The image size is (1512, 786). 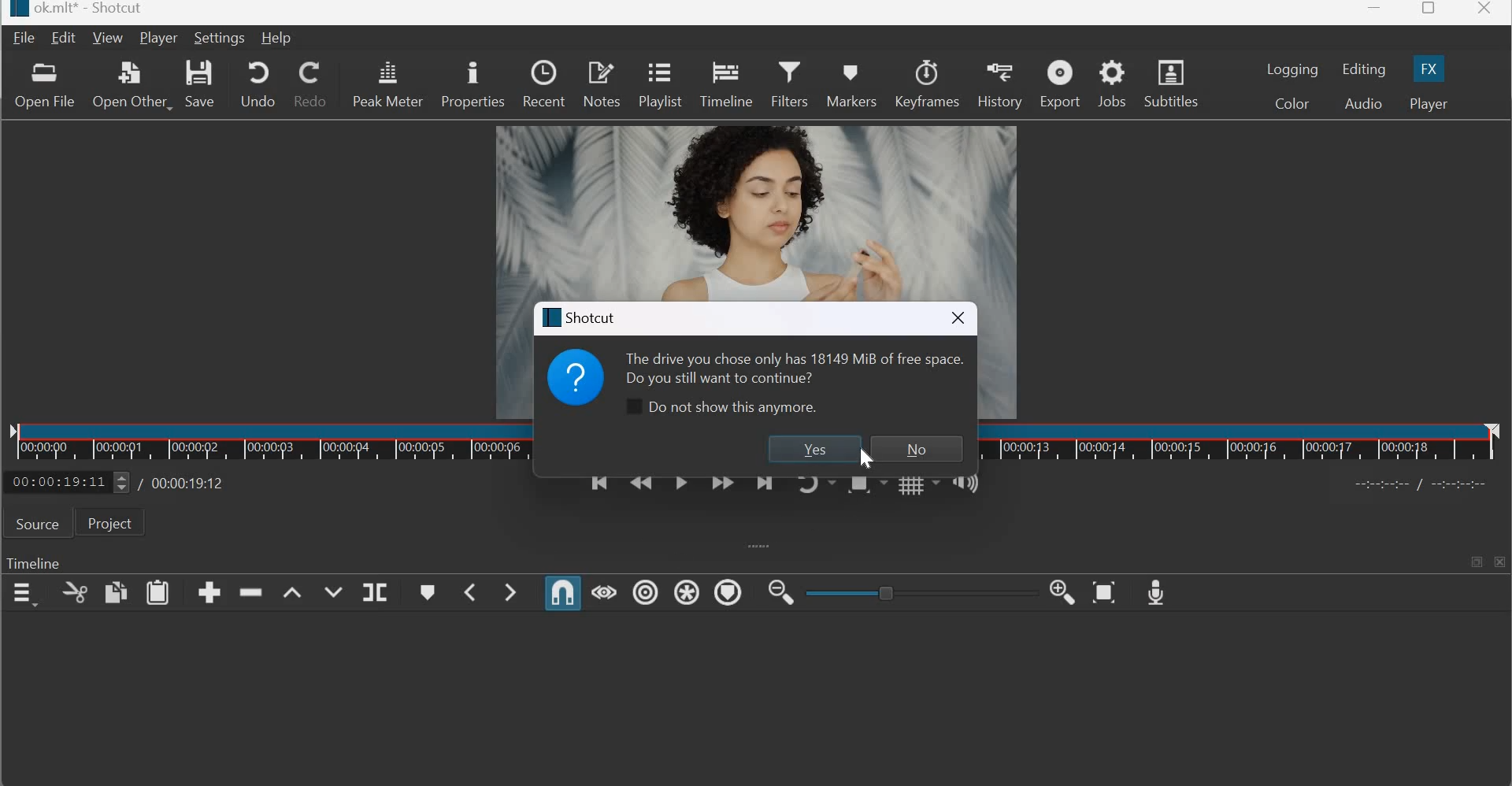 What do you see at coordinates (605, 591) in the screenshot?
I see `Scrub while dragging` at bounding box center [605, 591].